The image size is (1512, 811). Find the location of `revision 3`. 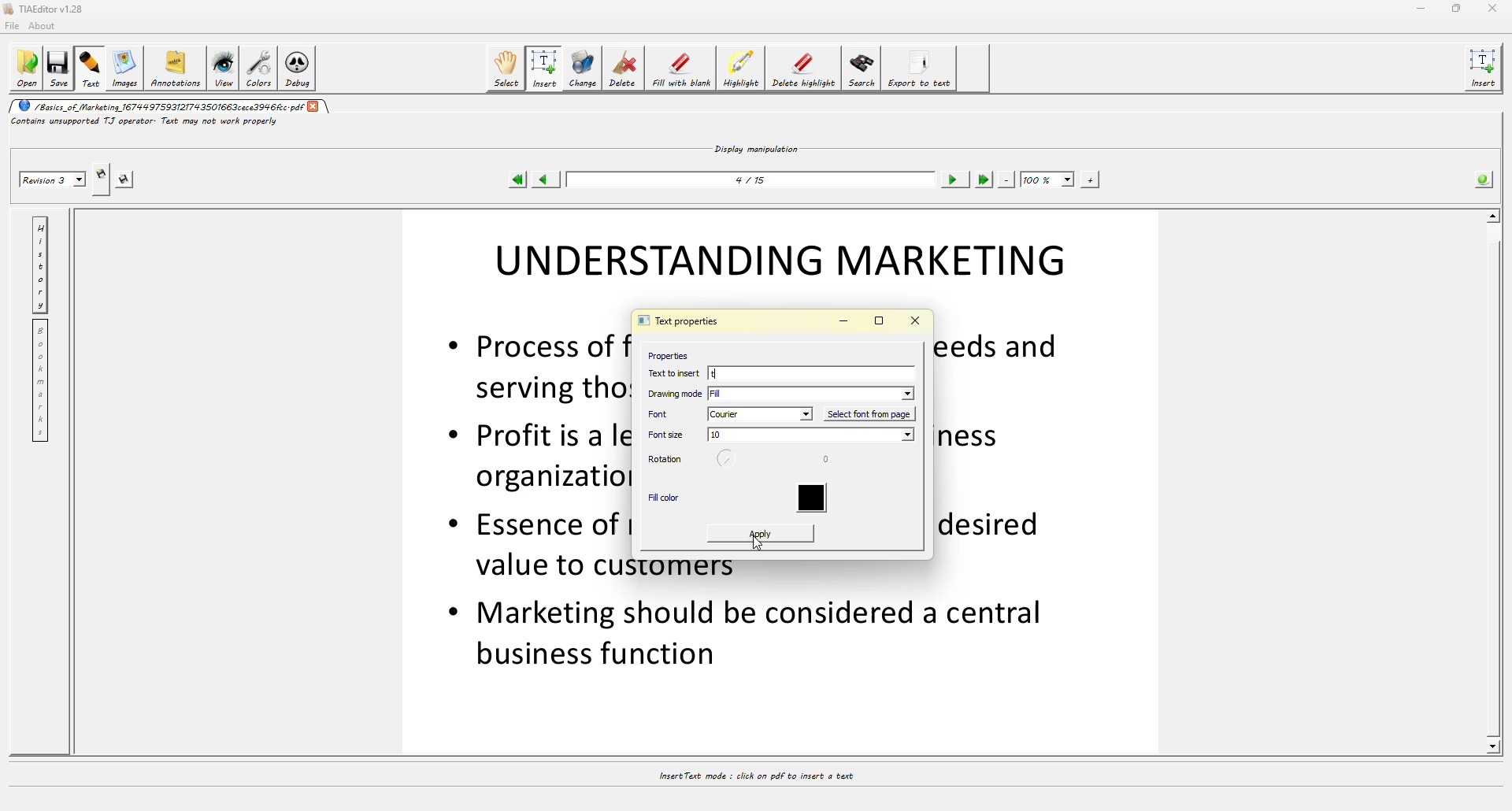

revision 3 is located at coordinates (52, 181).